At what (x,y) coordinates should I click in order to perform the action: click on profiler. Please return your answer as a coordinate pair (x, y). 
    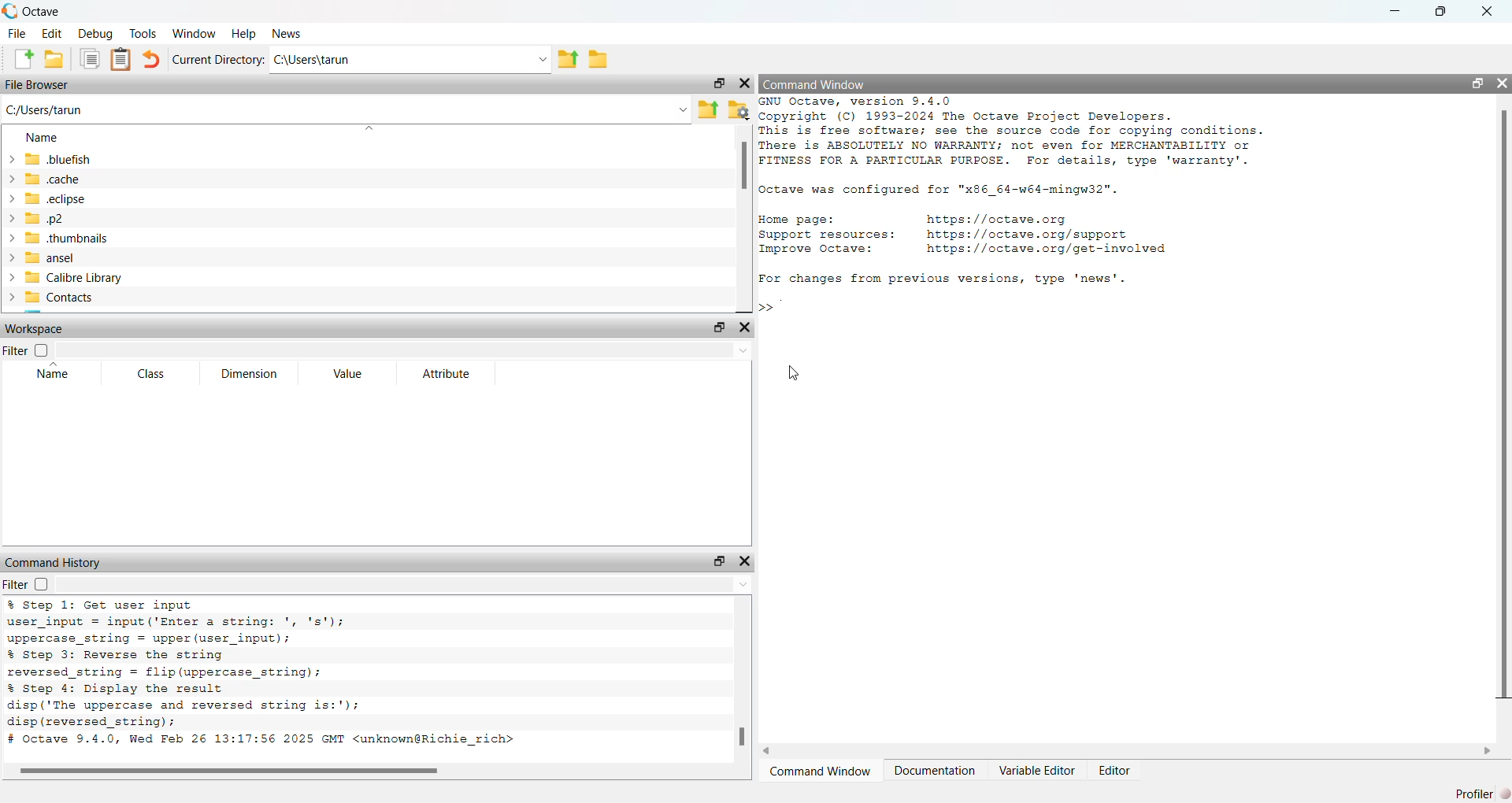
    Looking at the image, I should click on (1482, 791).